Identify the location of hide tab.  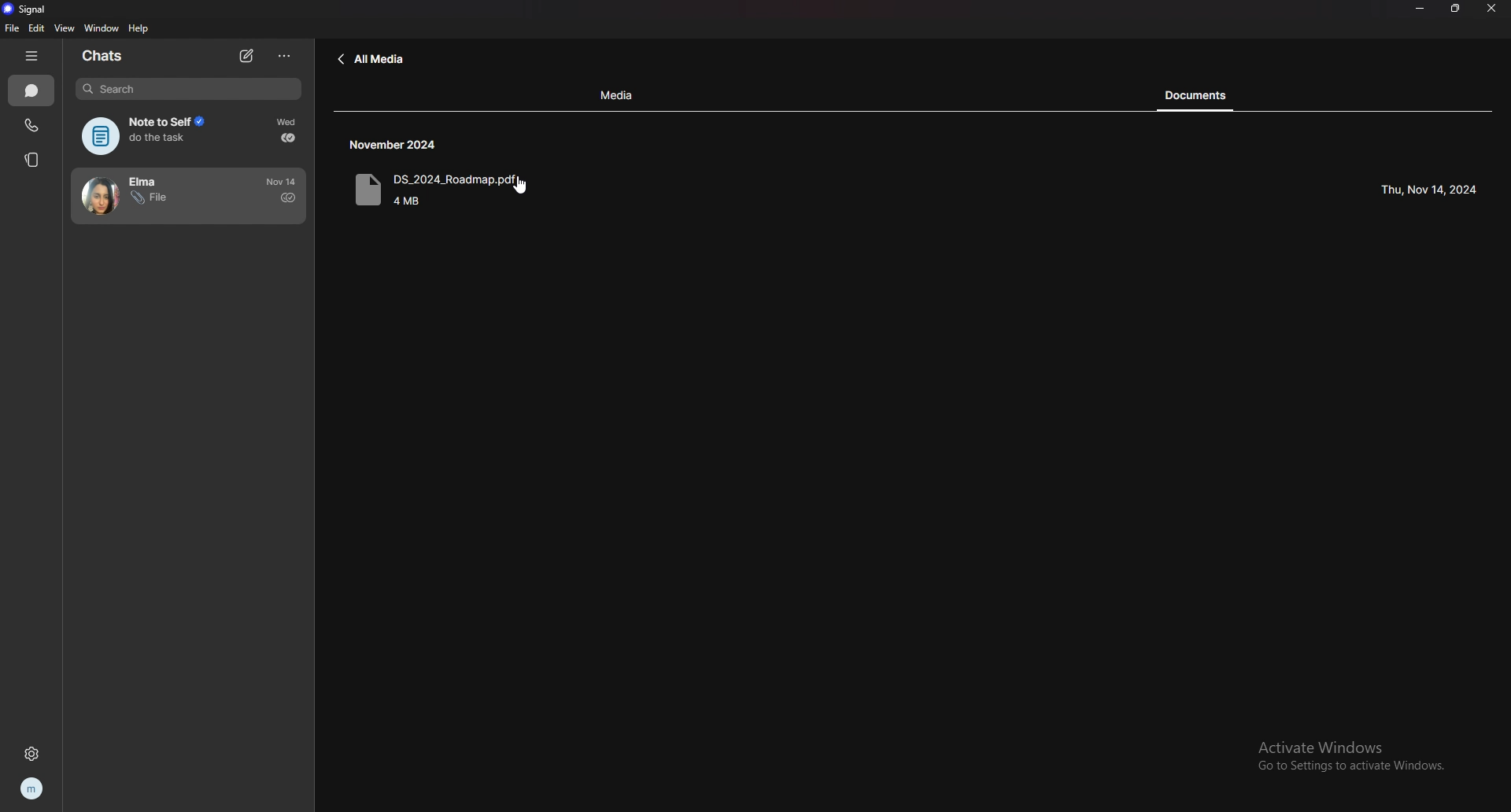
(30, 57).